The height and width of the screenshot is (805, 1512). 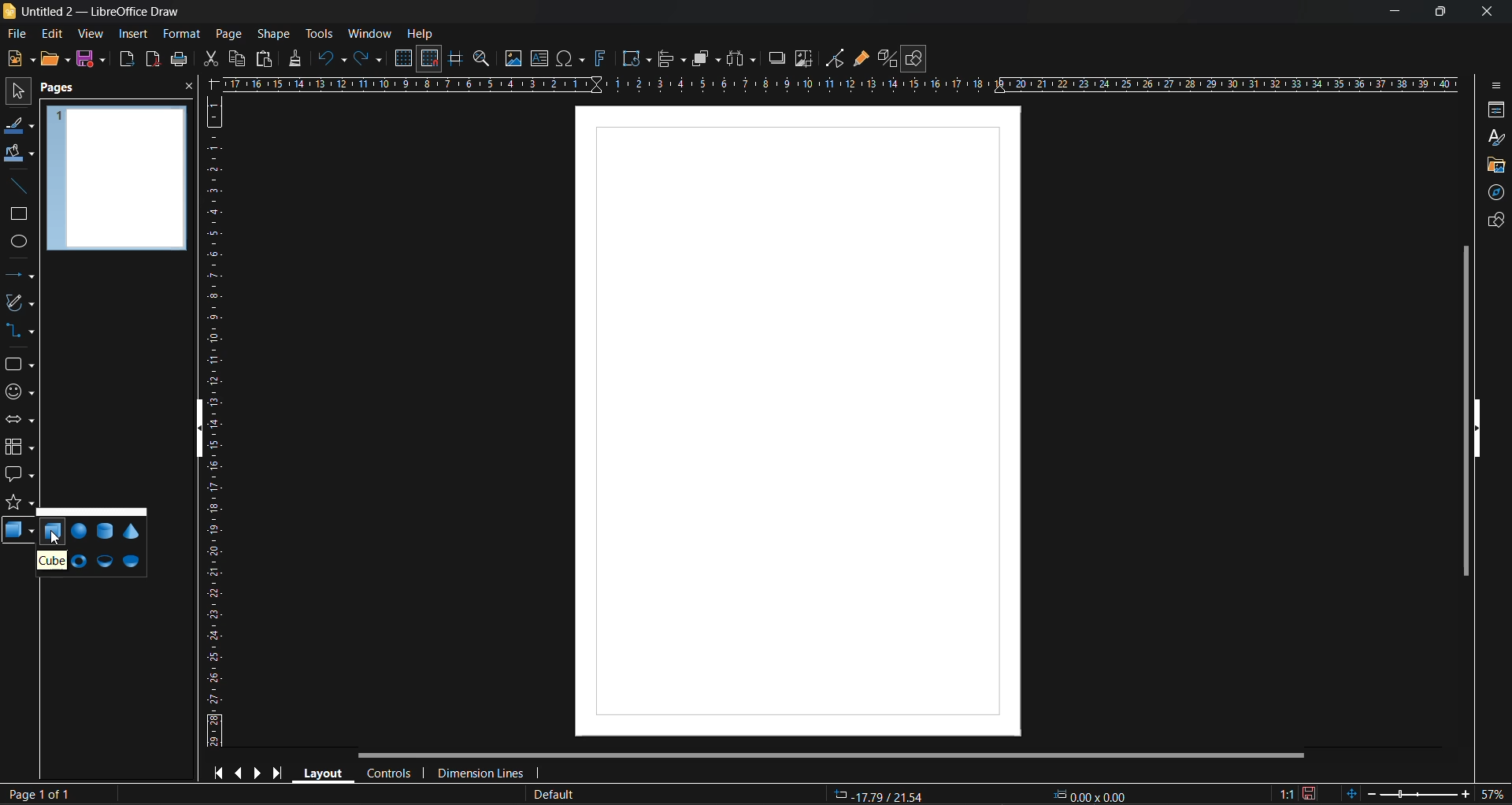 What do you see at coordinates (542, 58) in the screenshot?
I see `textbox` at bounding box center [542, 58].